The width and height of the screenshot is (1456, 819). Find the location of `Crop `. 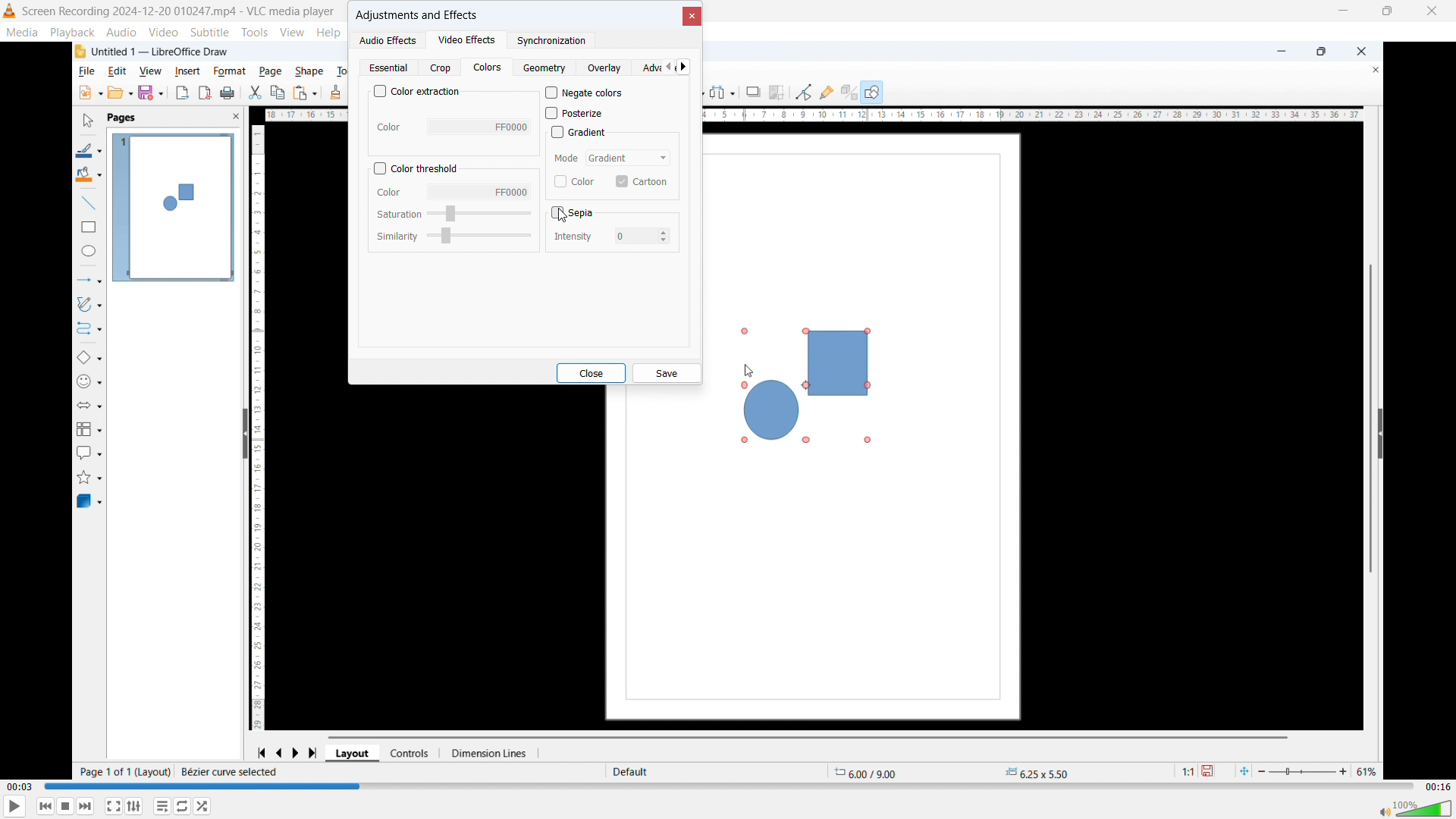

Crop  is located at coordinates (439, 68).